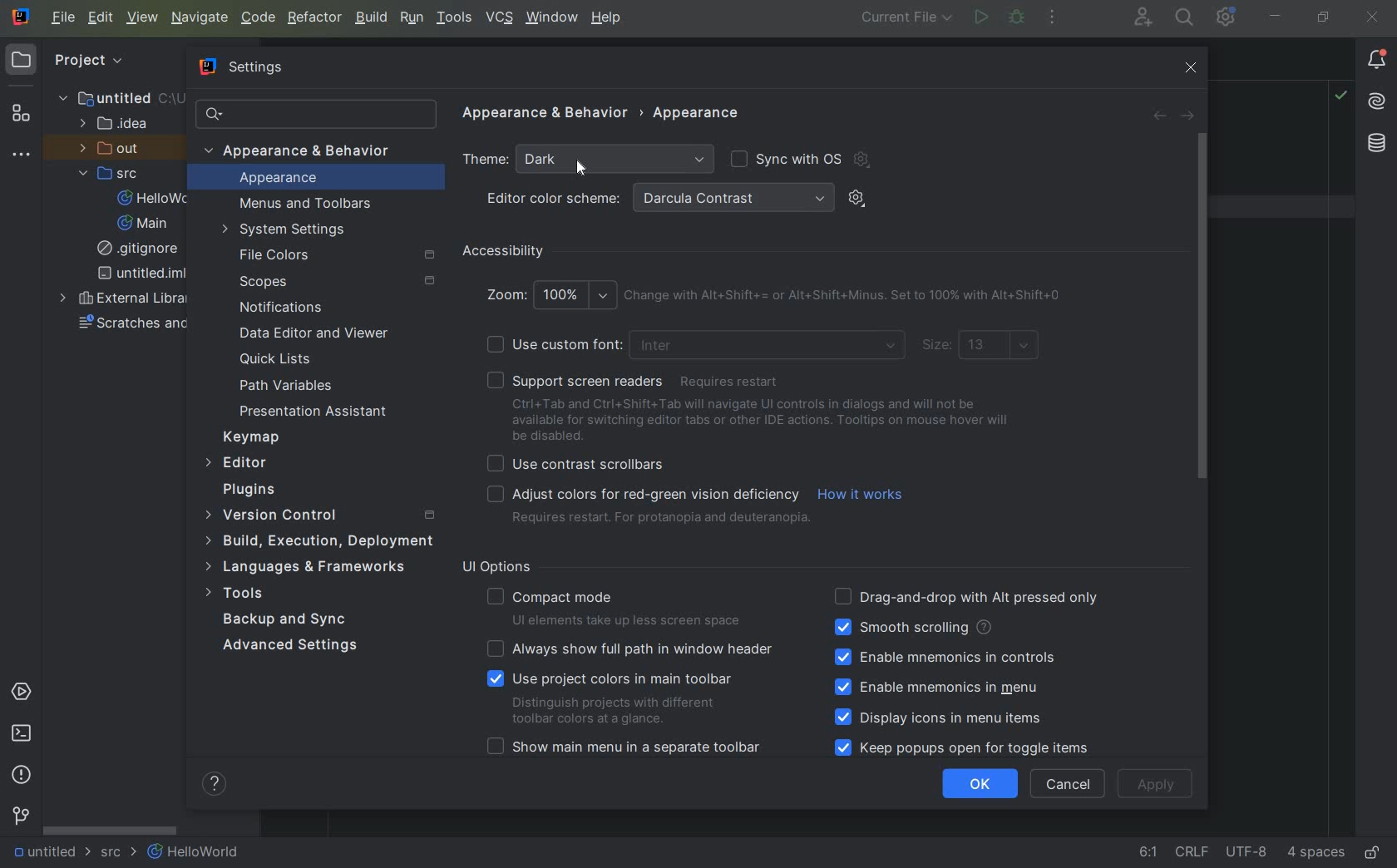  What do you see at coordinates (695, 345) in the screenshot?
I see `USE CUSTOM FONT` at bounding box center [695, 345].